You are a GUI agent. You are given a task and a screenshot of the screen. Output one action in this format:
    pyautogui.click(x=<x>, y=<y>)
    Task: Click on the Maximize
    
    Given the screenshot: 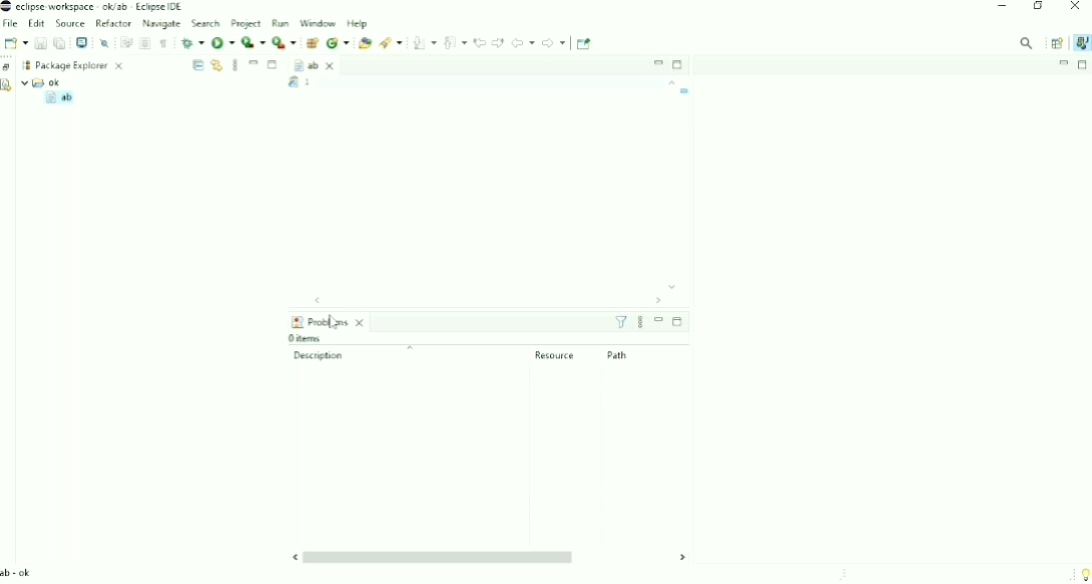 What is the action you would take?
    pyautogui.click(x=677, y=321)
    